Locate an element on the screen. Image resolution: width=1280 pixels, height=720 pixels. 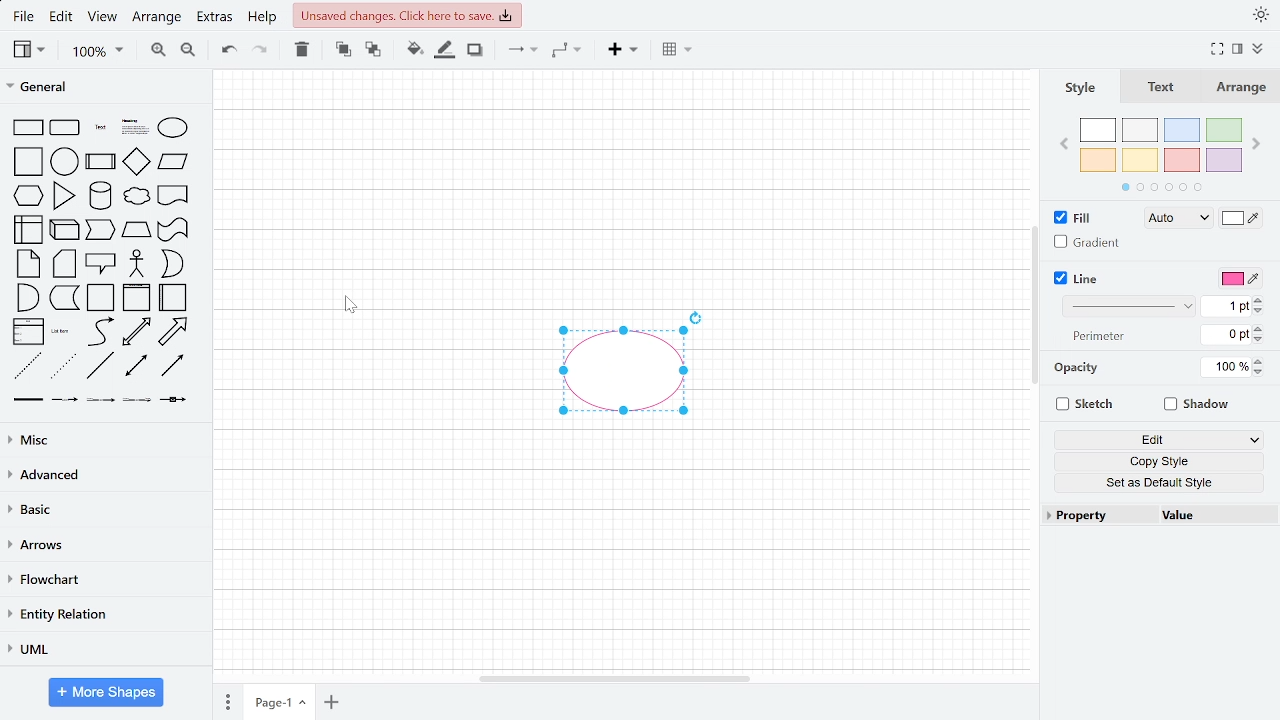
document is located at coordinates (64, 299).